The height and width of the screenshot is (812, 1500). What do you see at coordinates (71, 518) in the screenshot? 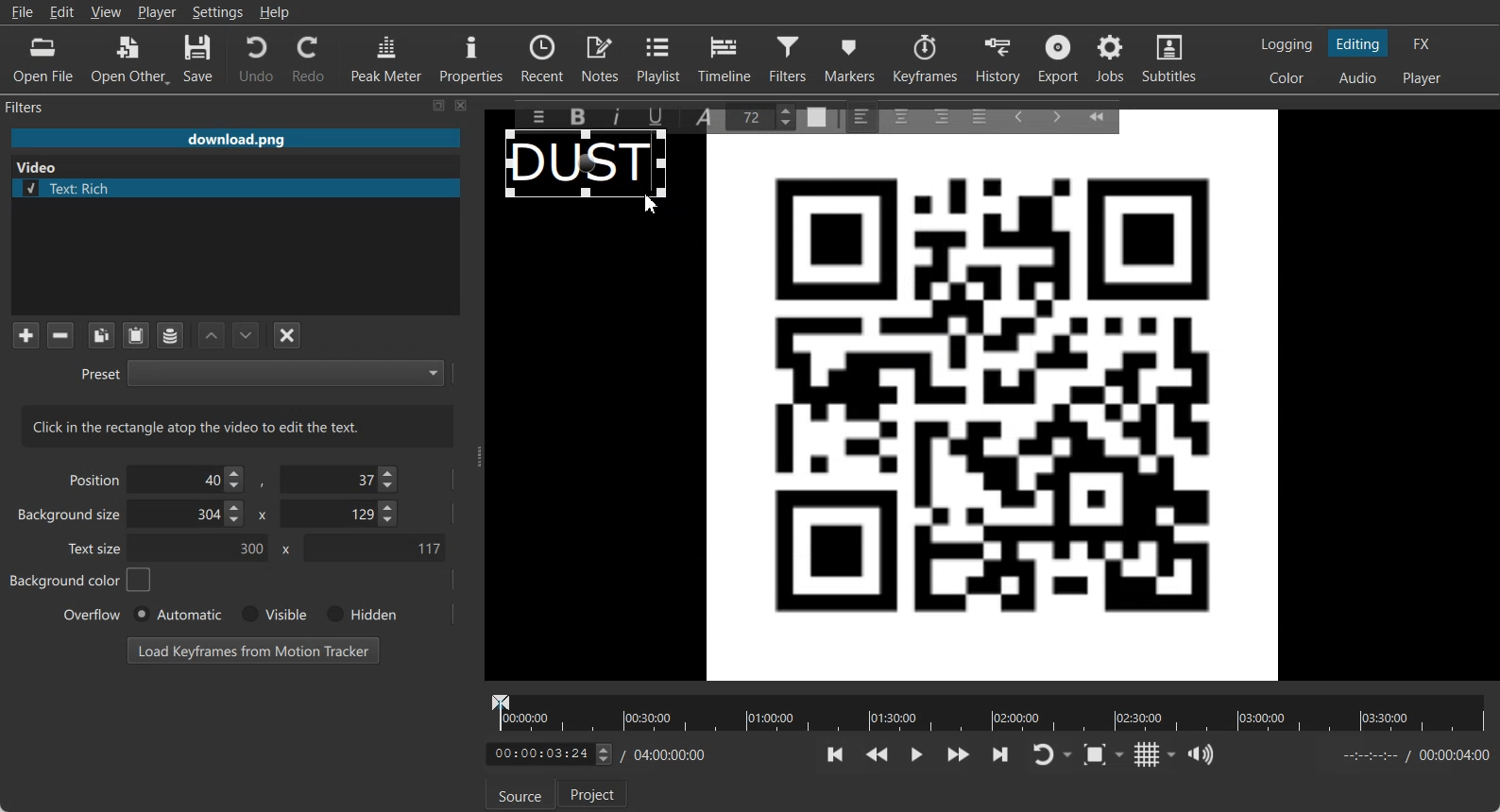
I see `Background size` at bounding box center [71, 518].